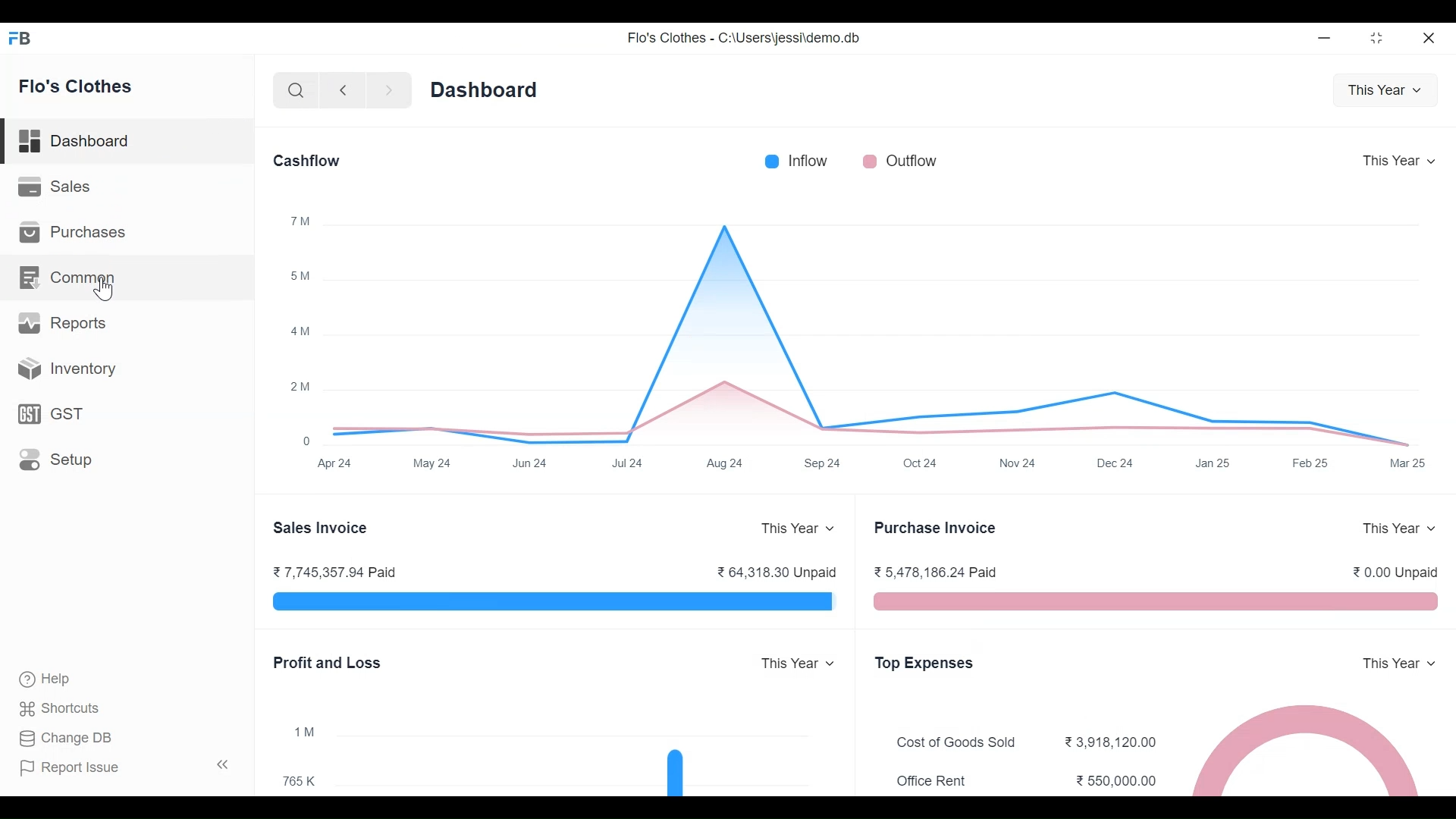 The image size is (1456, 819). I want to click on Top Expenses, so click(925, 664).